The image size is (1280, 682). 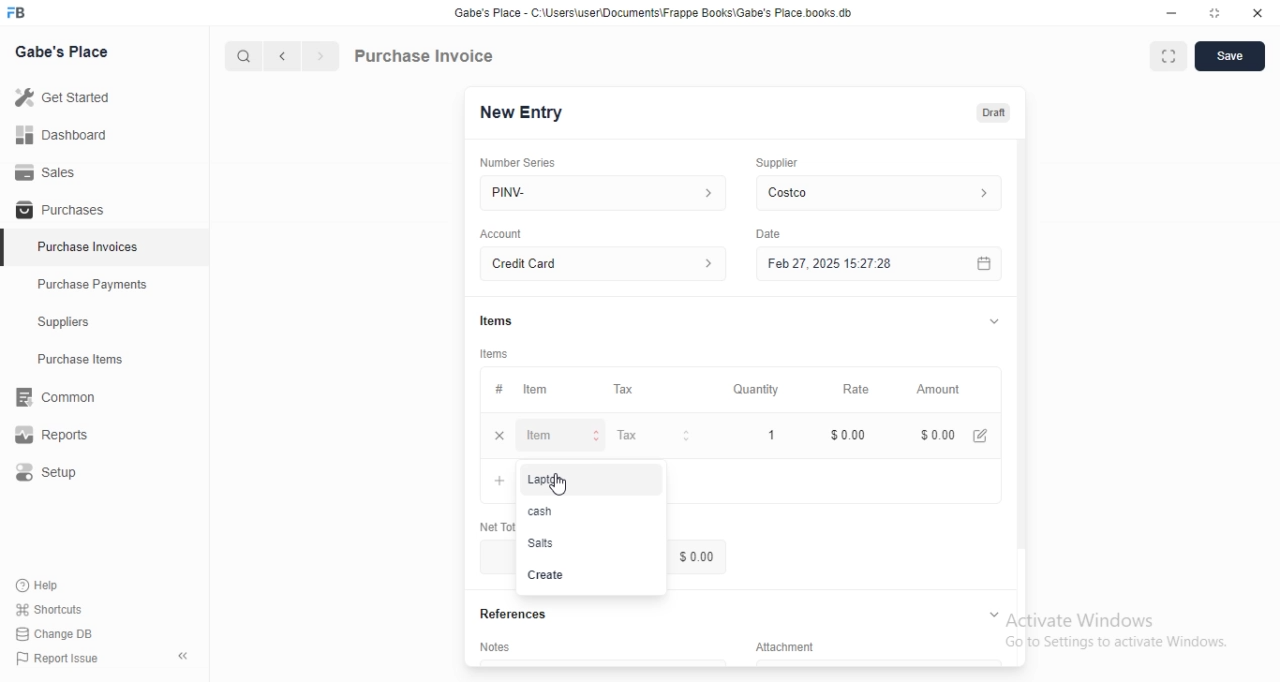 What do you see at coordinates (650, 389) in the screenshot?
I see `Tax` at bounding box center [650, 389].